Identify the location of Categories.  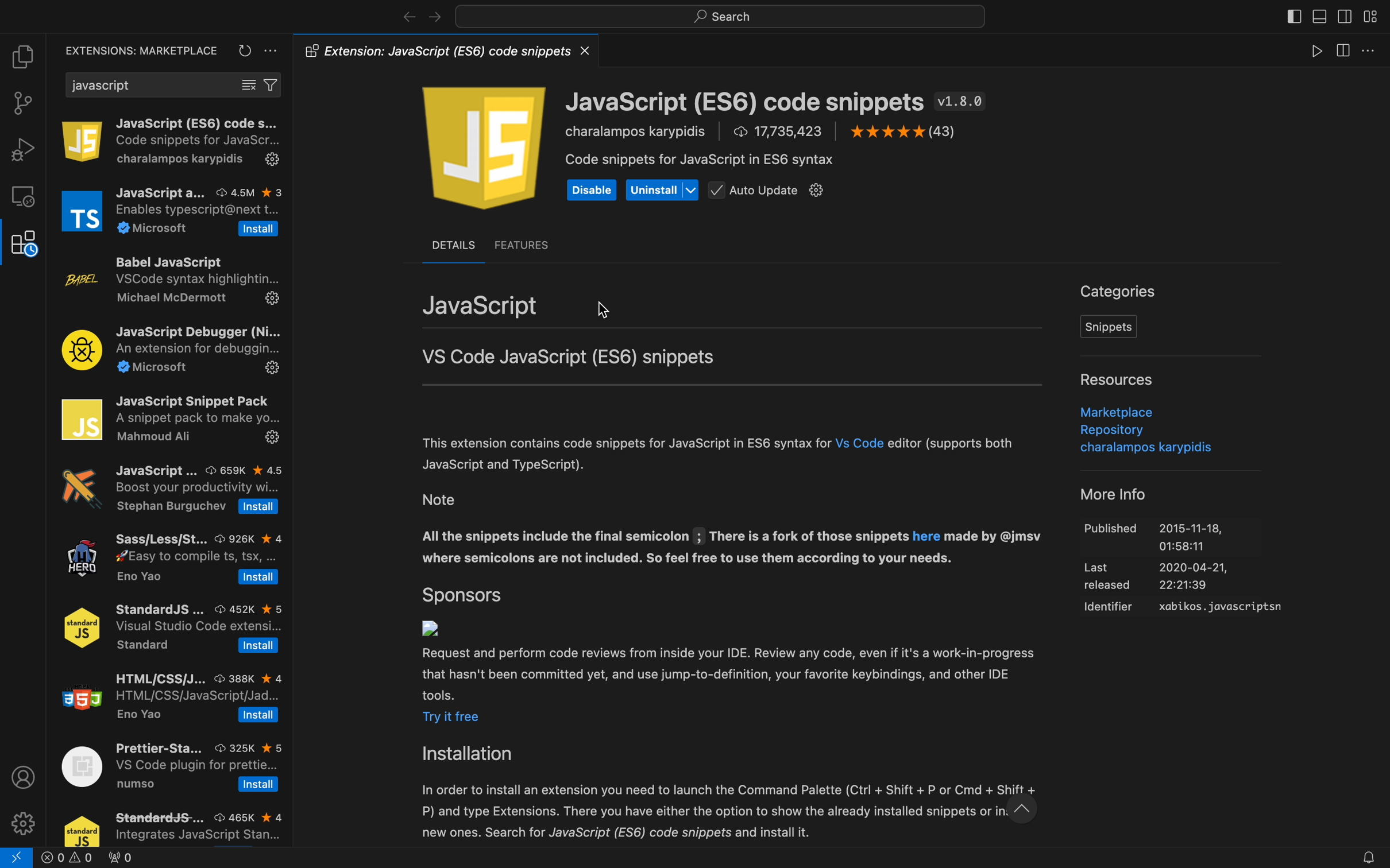
(1114, 288).